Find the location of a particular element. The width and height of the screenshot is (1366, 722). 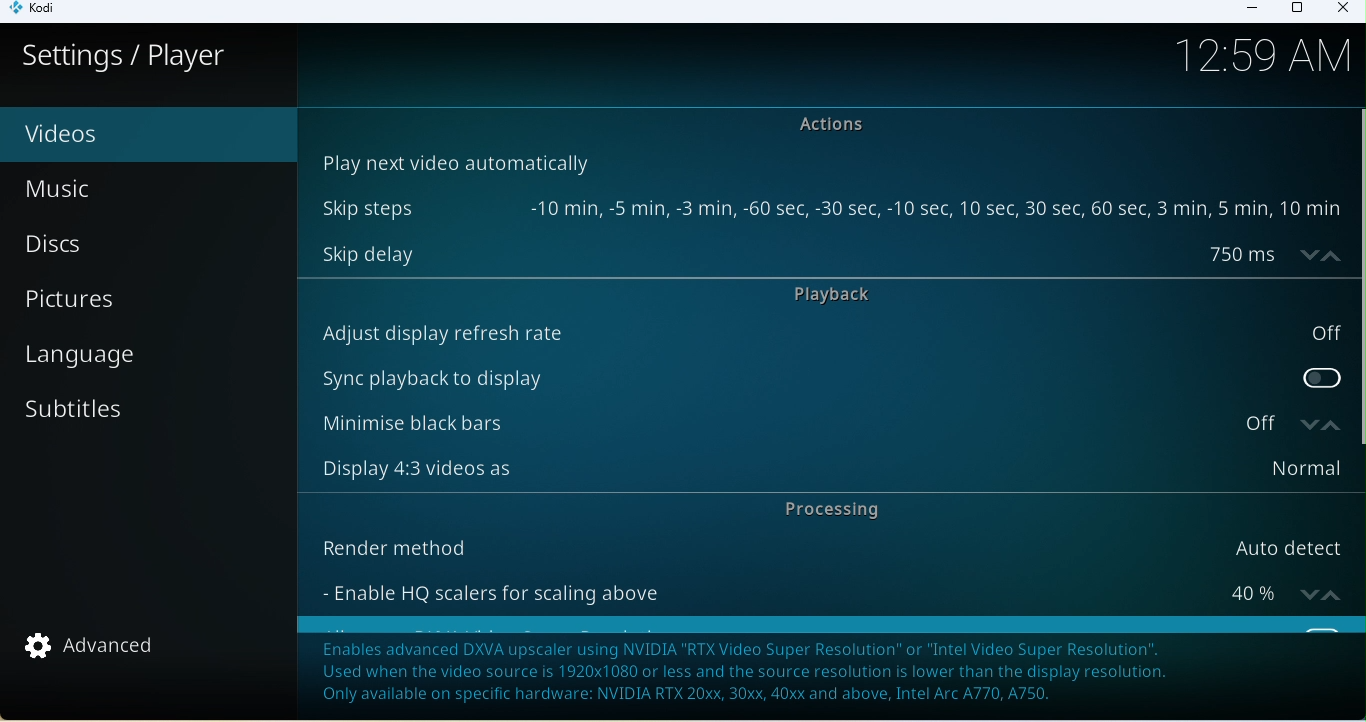

Time is located at coordinates (1271, 59).